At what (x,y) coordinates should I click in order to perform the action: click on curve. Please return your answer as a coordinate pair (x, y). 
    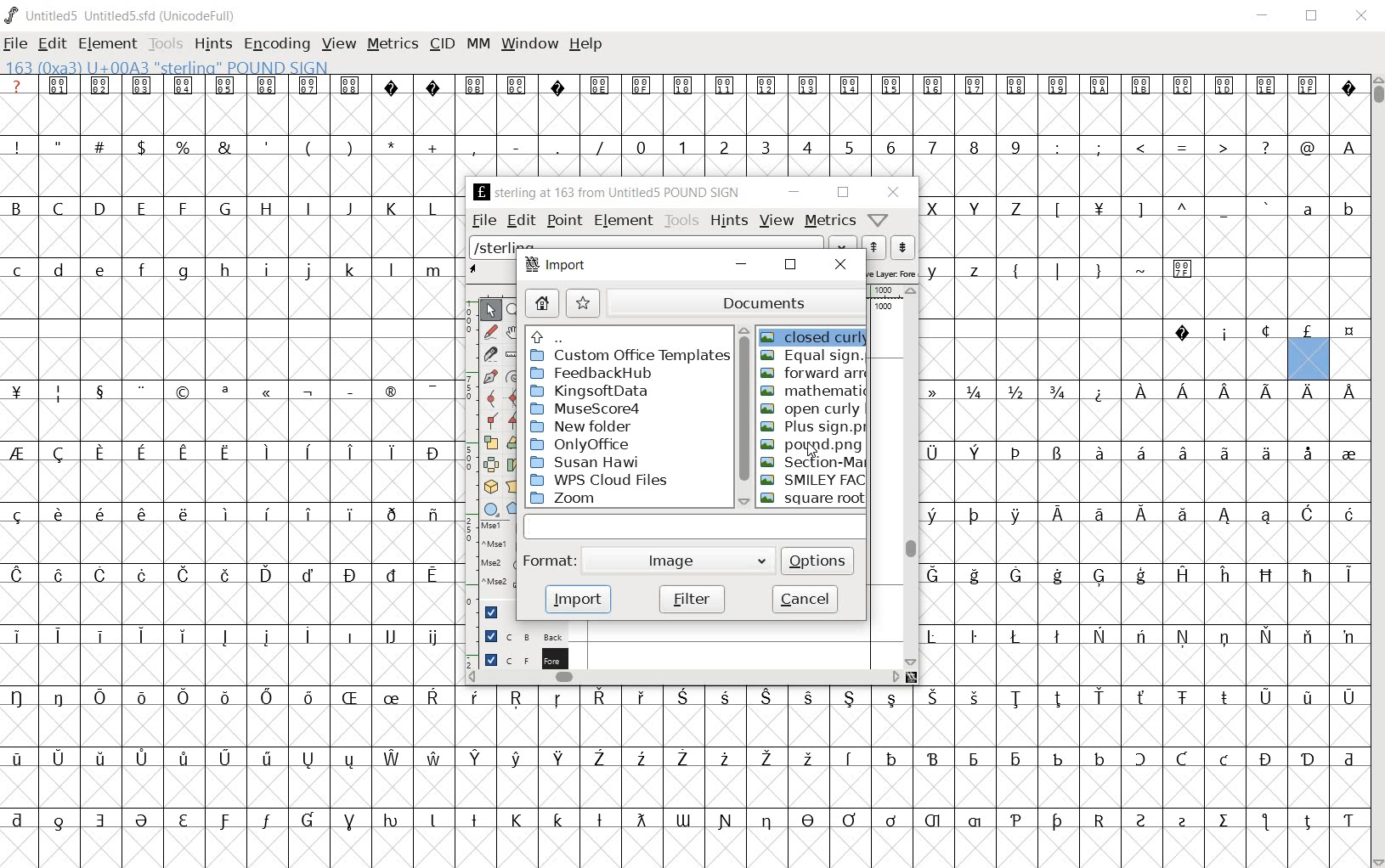
    Looking at the image, I should click on (493, 401).